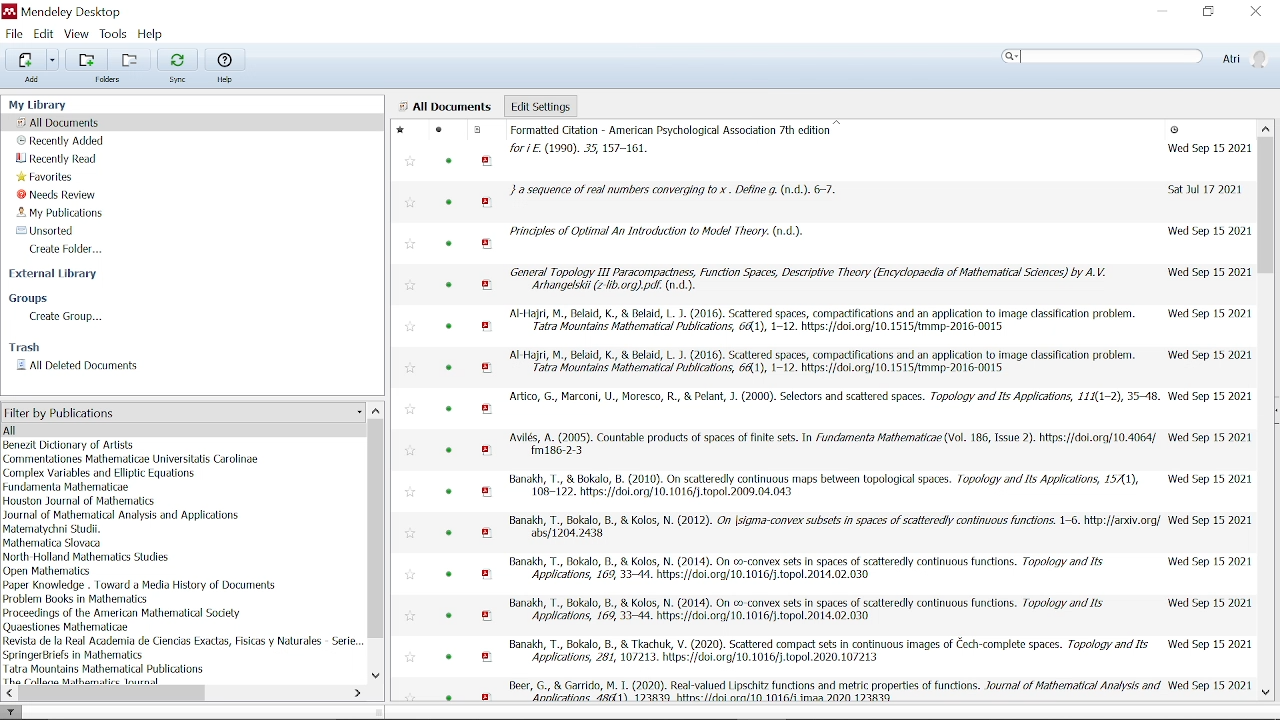 The height and width of the screenshot is (720, 1280). Describe the element at coordinates (105, 668) in the screenshot. I see `author` at that location.